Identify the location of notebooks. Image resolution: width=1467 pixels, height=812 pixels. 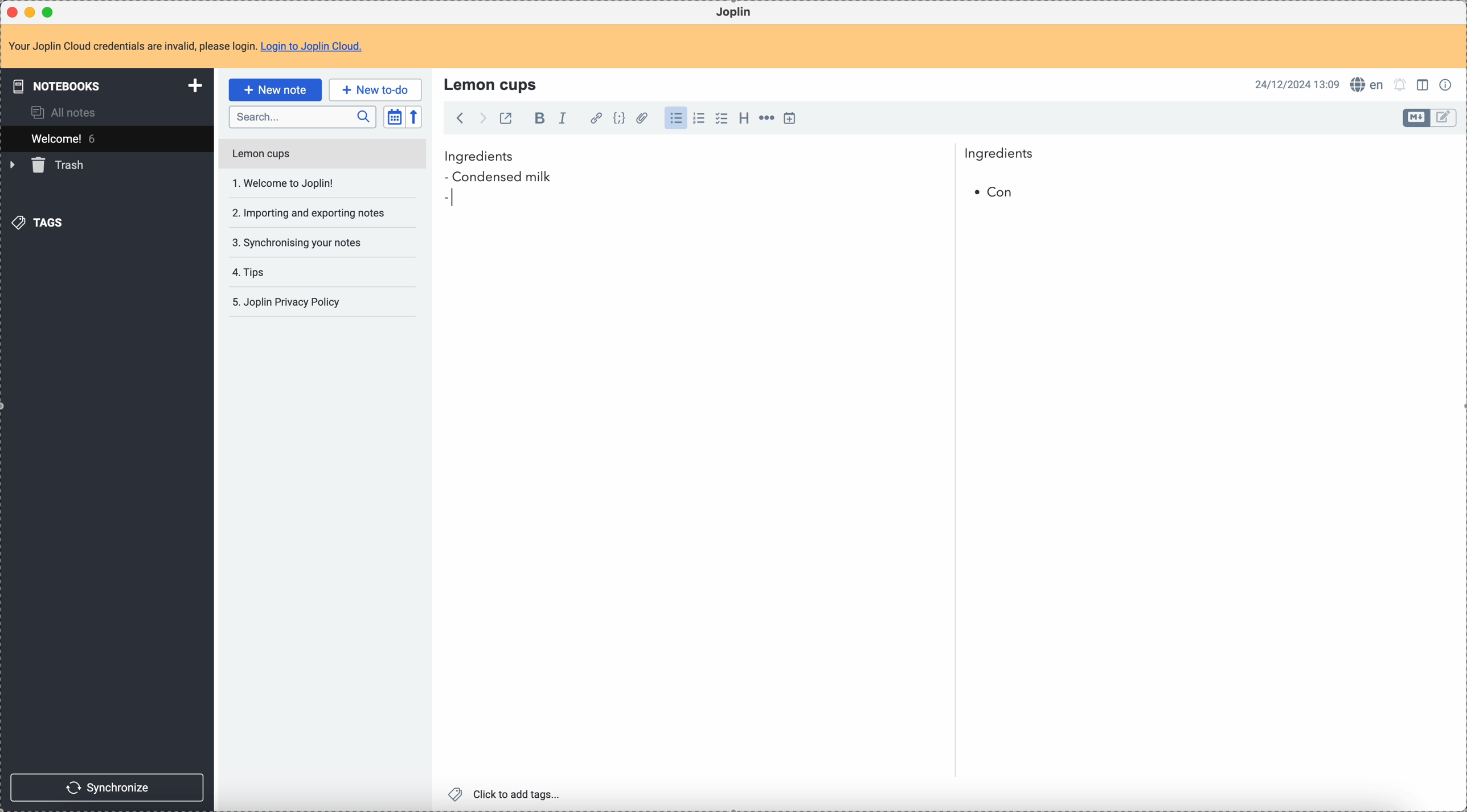
(109, 85).